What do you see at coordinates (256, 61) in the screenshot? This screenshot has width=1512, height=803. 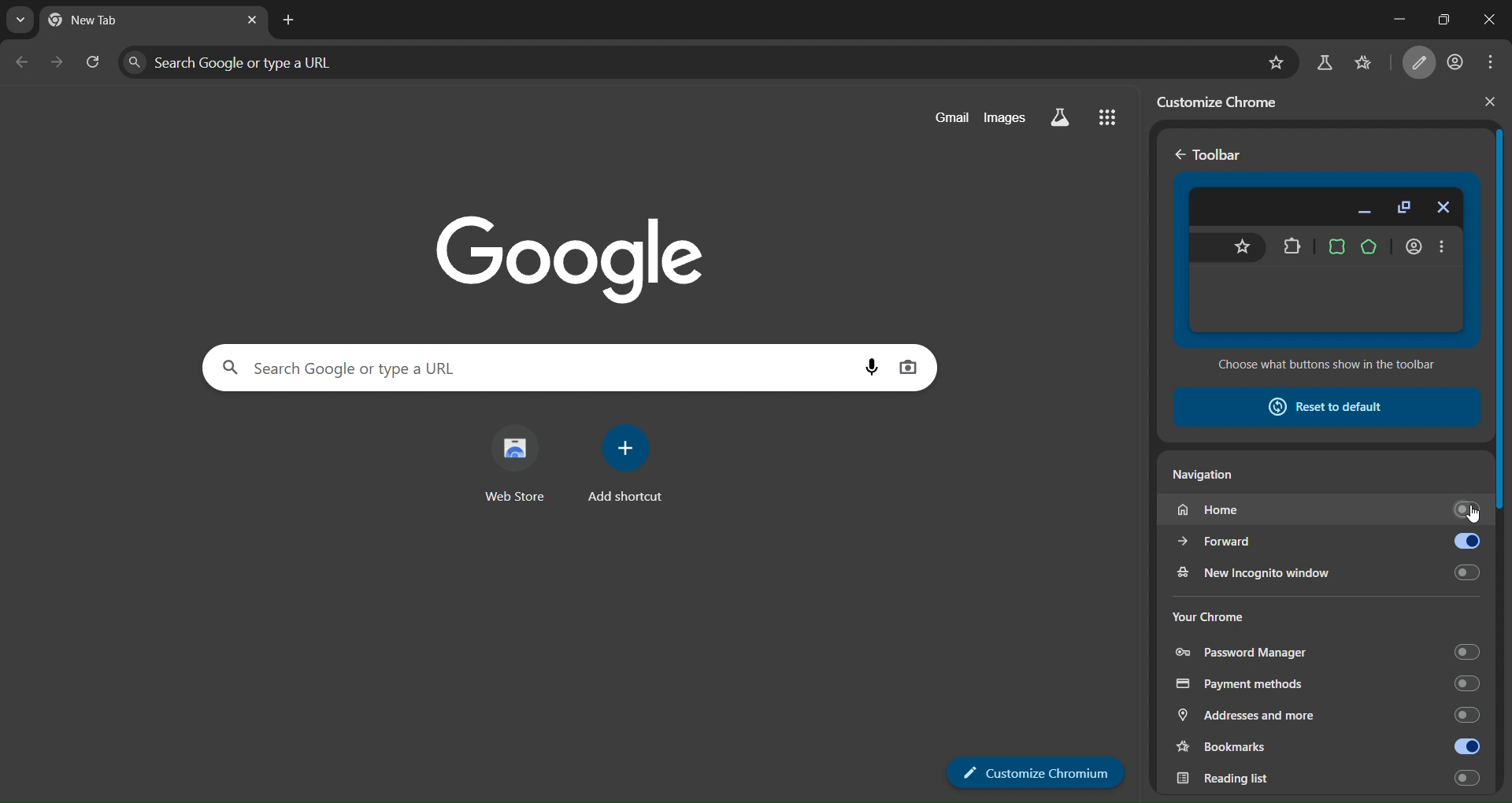 I see `search panel` at bounding box center [256, 61].